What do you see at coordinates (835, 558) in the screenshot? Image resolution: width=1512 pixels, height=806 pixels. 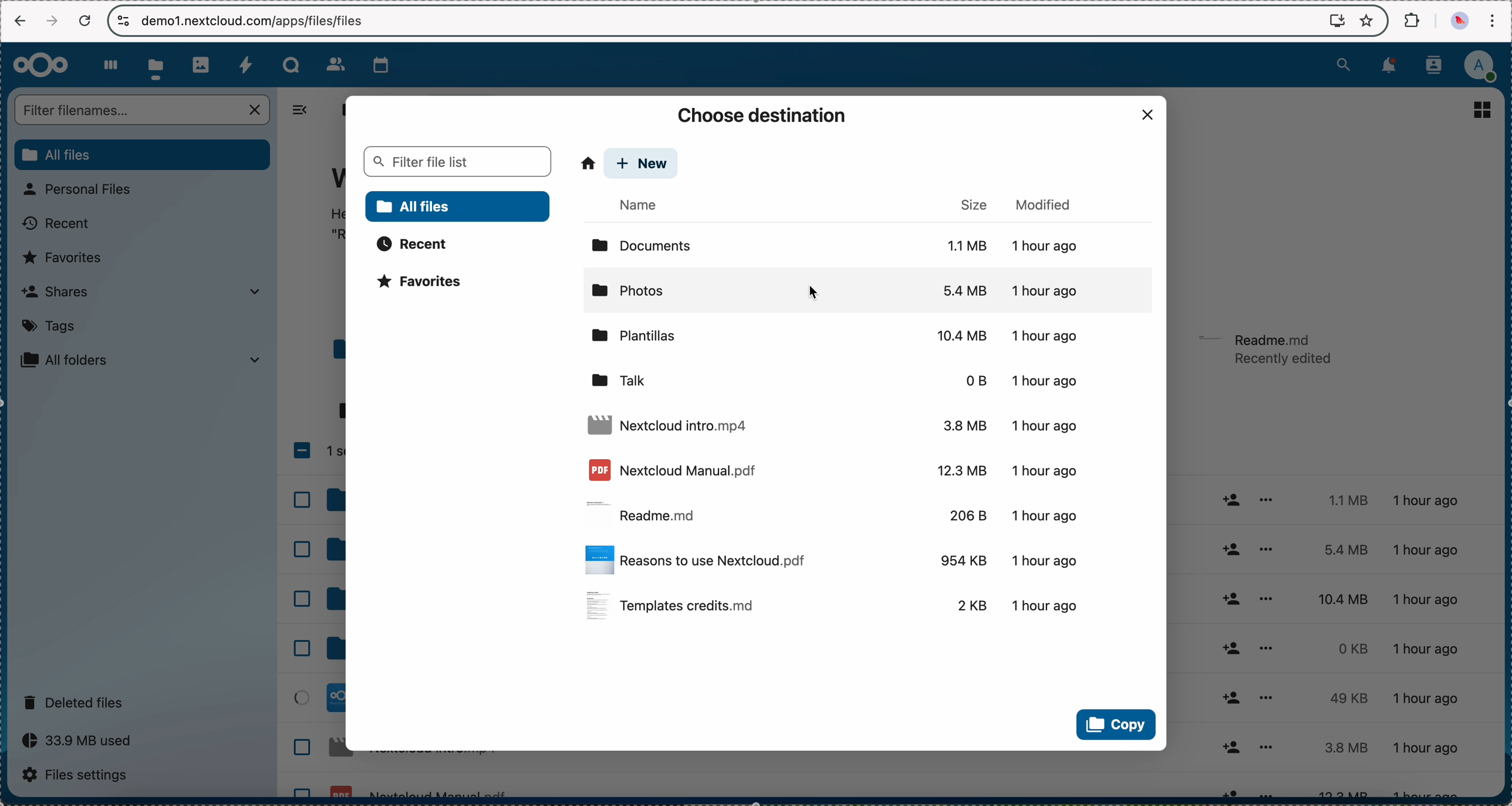 I see `file` at bounding box center [835, 558].